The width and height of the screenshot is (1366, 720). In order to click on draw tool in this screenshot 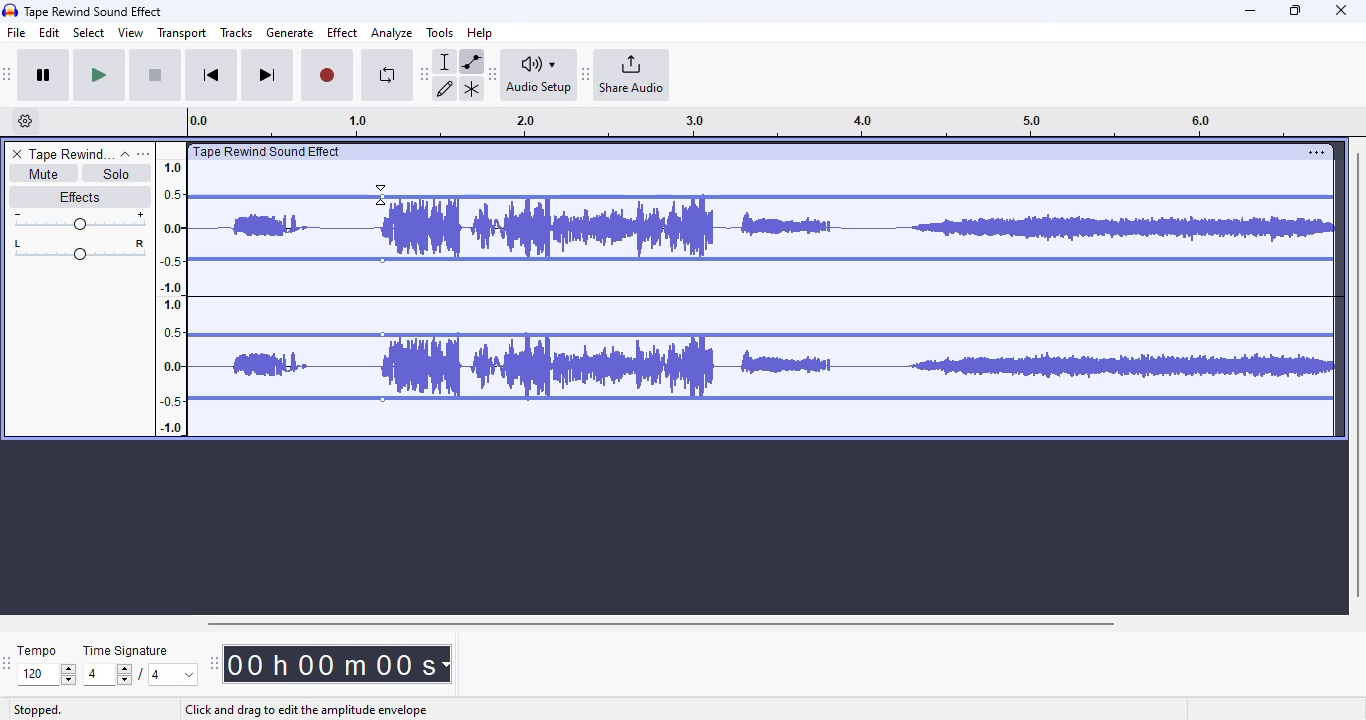, I will do `click(446, 88)`.